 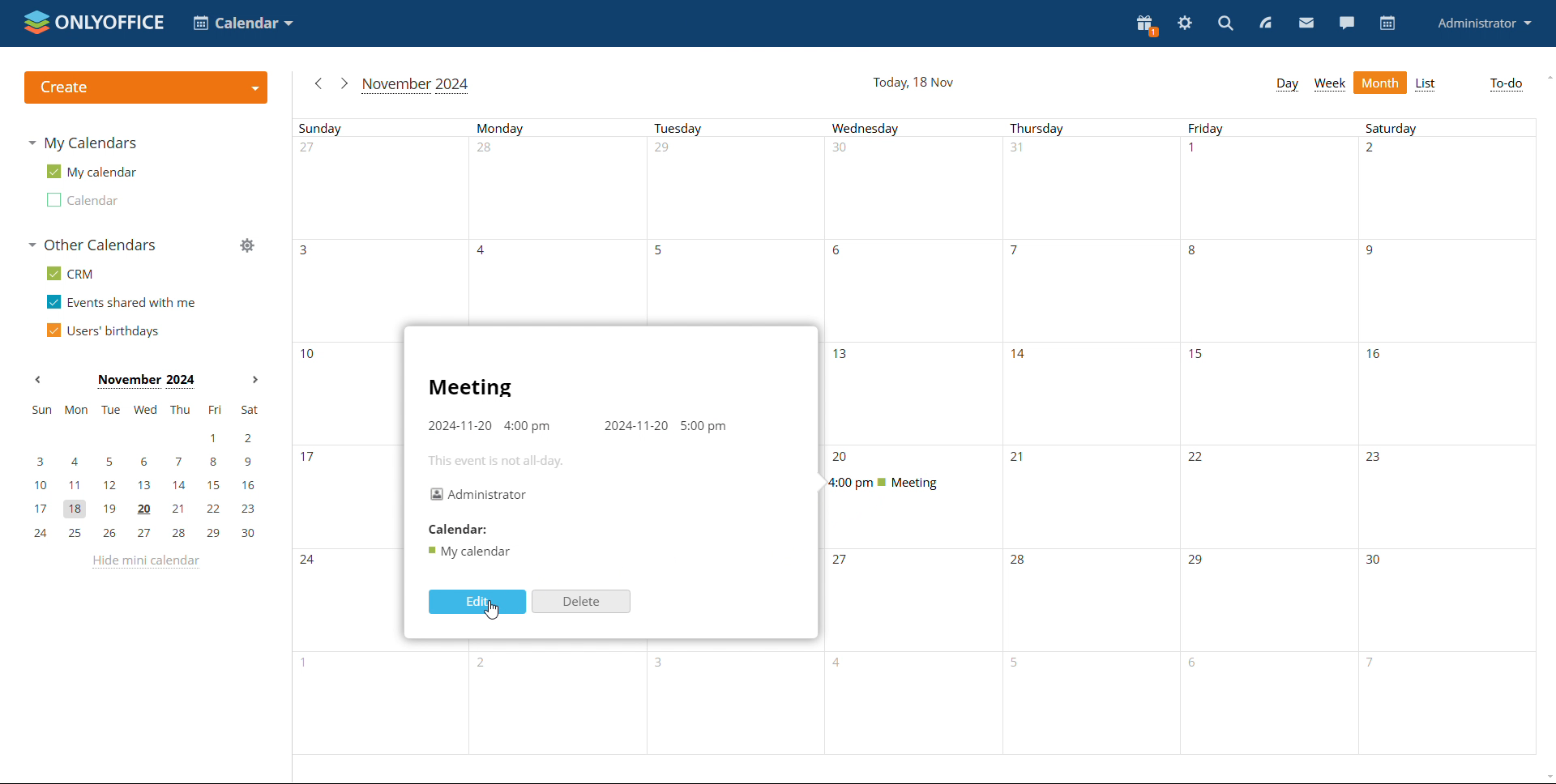 What do you see at coordinates (318, 83) in the screenshot?
I see `previous month` at bounding box center [318, 83].